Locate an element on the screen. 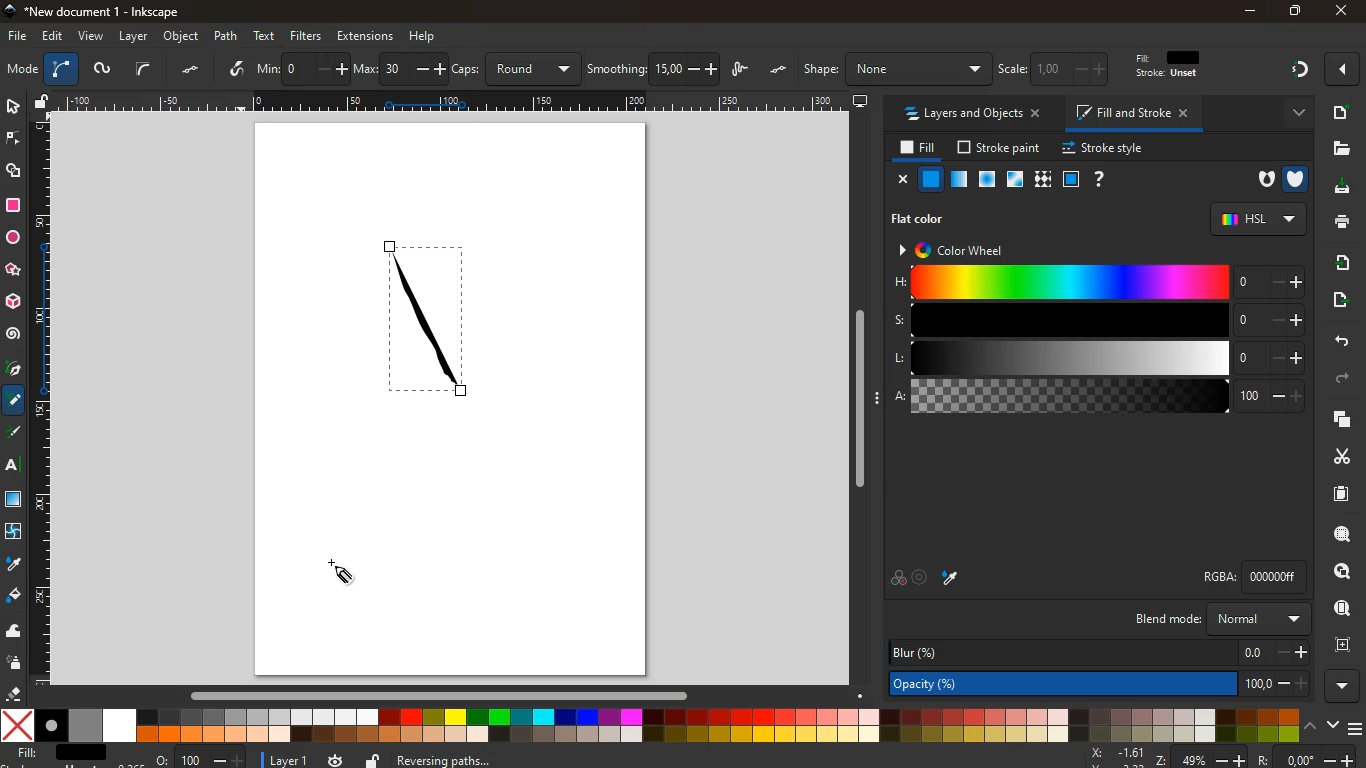 The height and width of the screenshot is (768, 1366). help is located at coordinates (1100, 180).